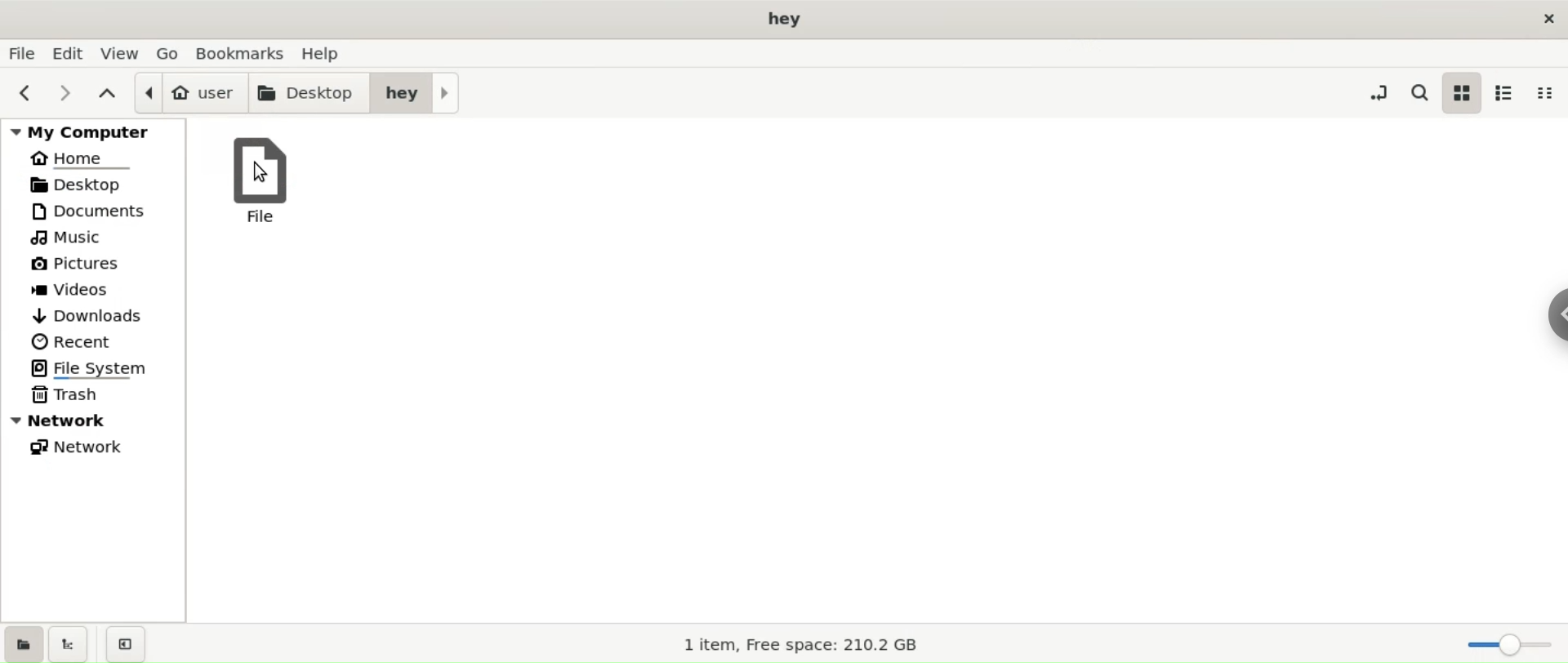 This screenshot has width=1568, height=663. I want to click on home, so click(94, 159).